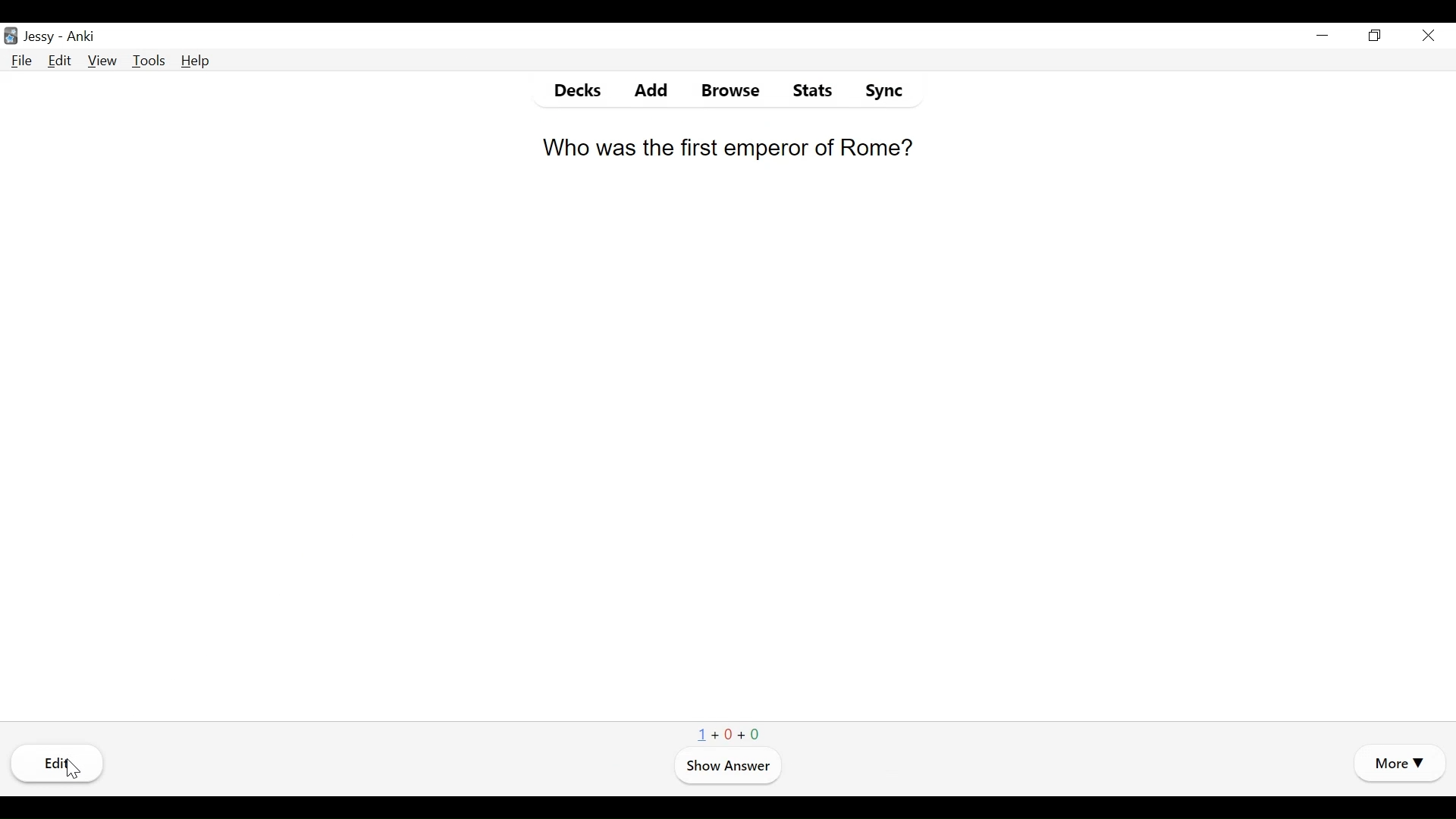  What do you see at coordinates (726, 767) in the screenshot?
I see `Show Answer` at bounding box center [726, 767].